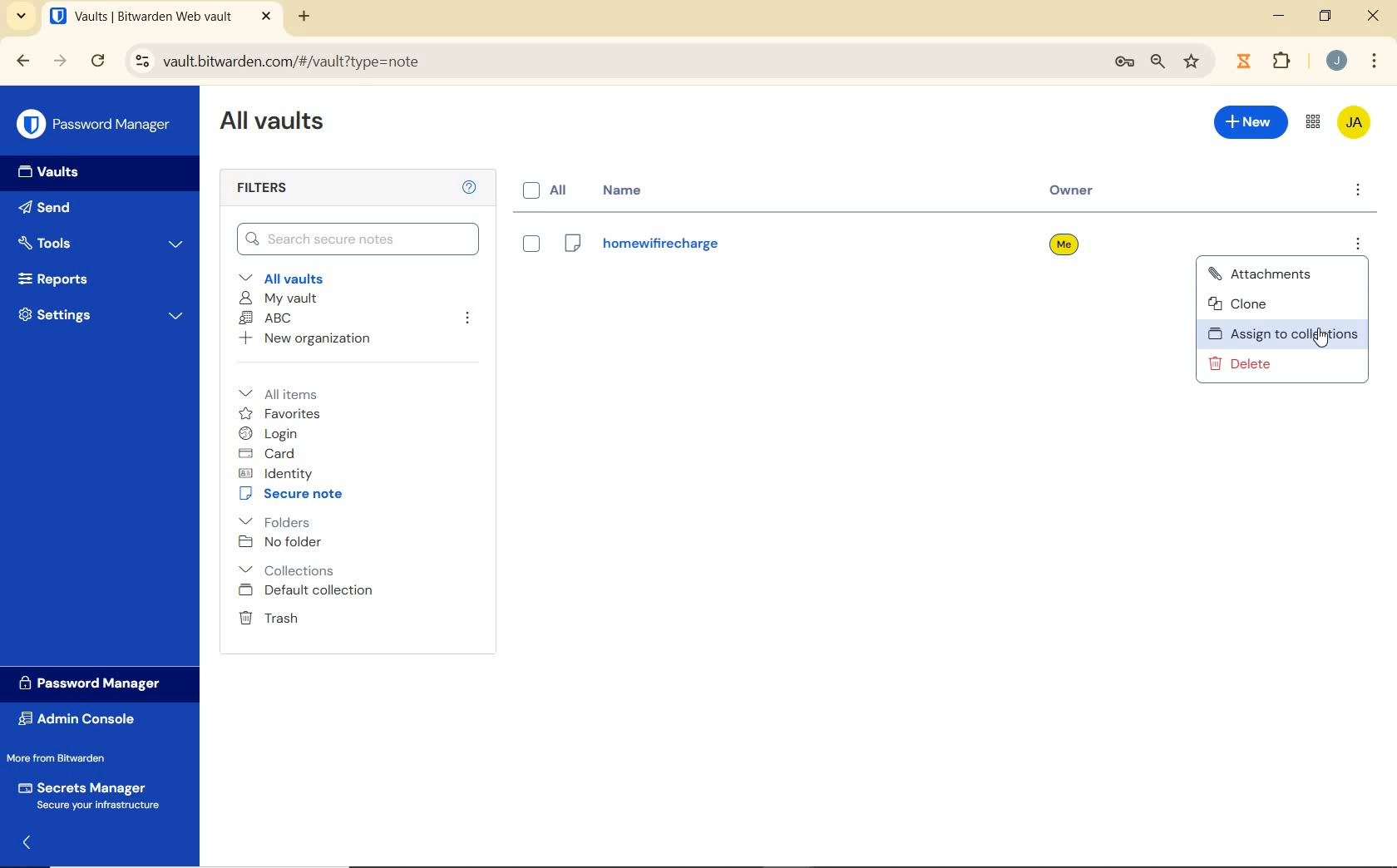  Describe the element at coordinates (102, 242) in the screenshot. I see `Tools` at that location.